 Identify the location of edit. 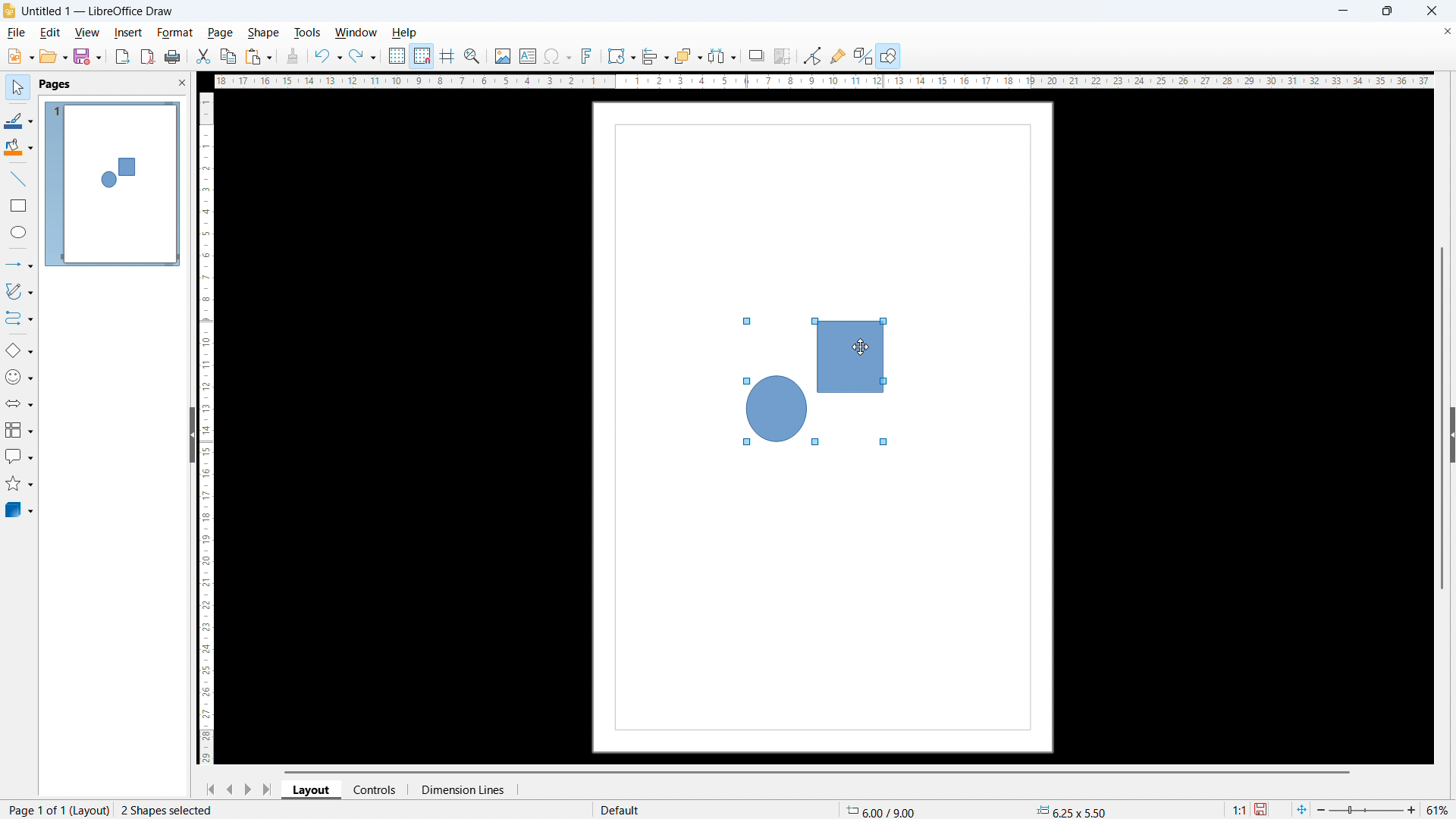
(52, 33).